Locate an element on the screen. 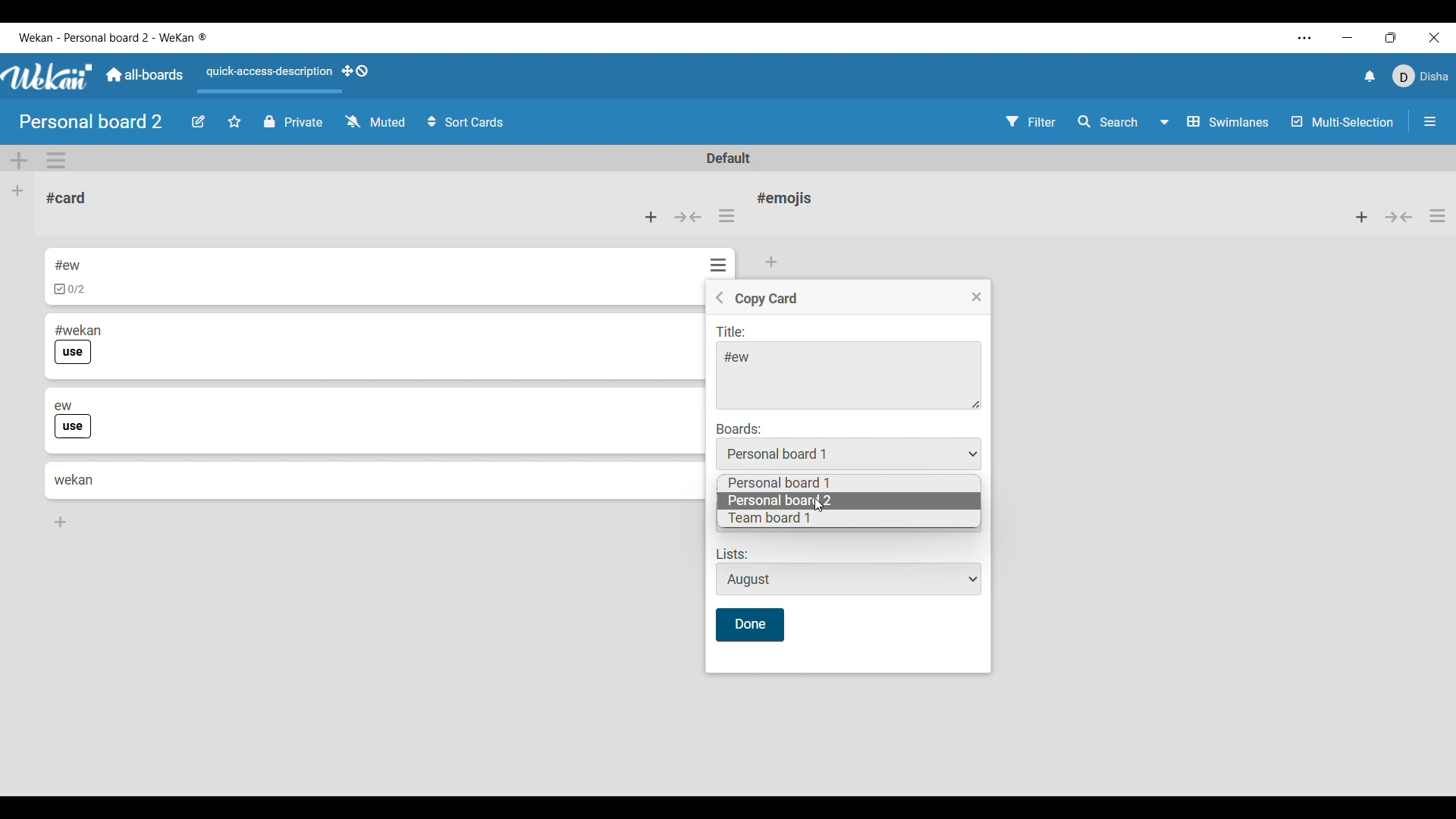 This screenshot has width=1456, height=819. Goback is located at coordinates (719, 297).